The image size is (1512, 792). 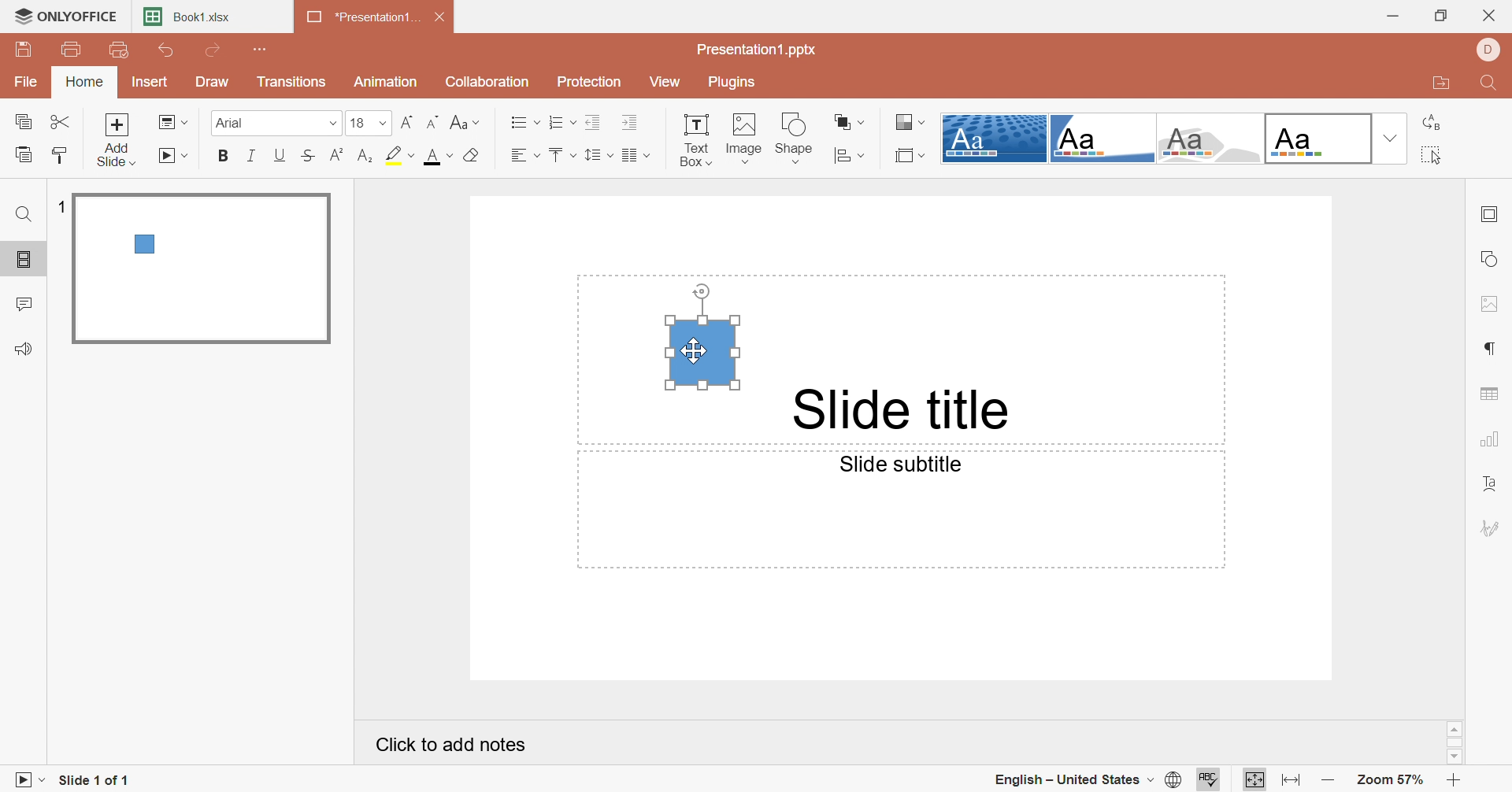 I want to click on Text Art settings, so click(x=1494, y=487).